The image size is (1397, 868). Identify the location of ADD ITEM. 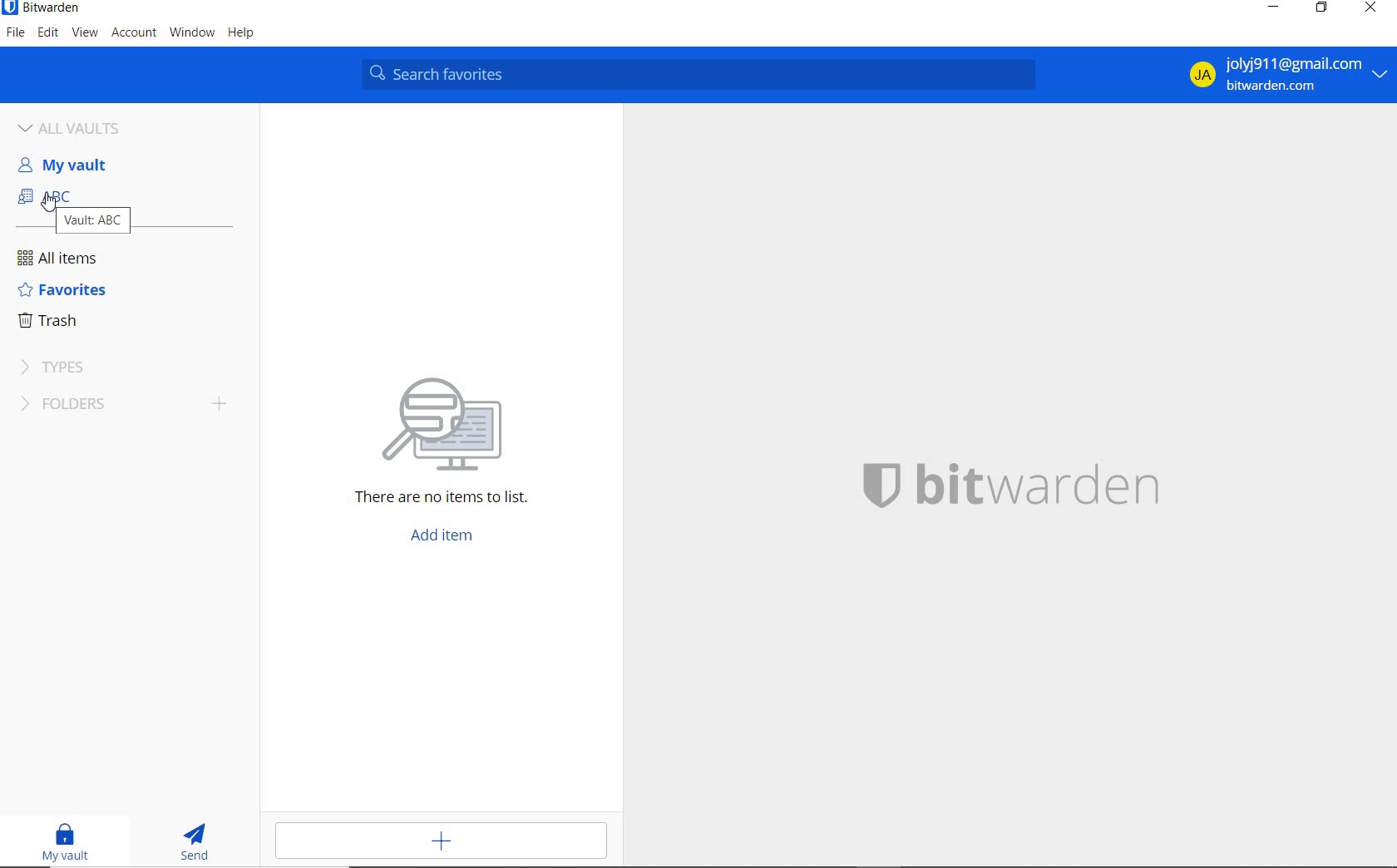
(447, 536).